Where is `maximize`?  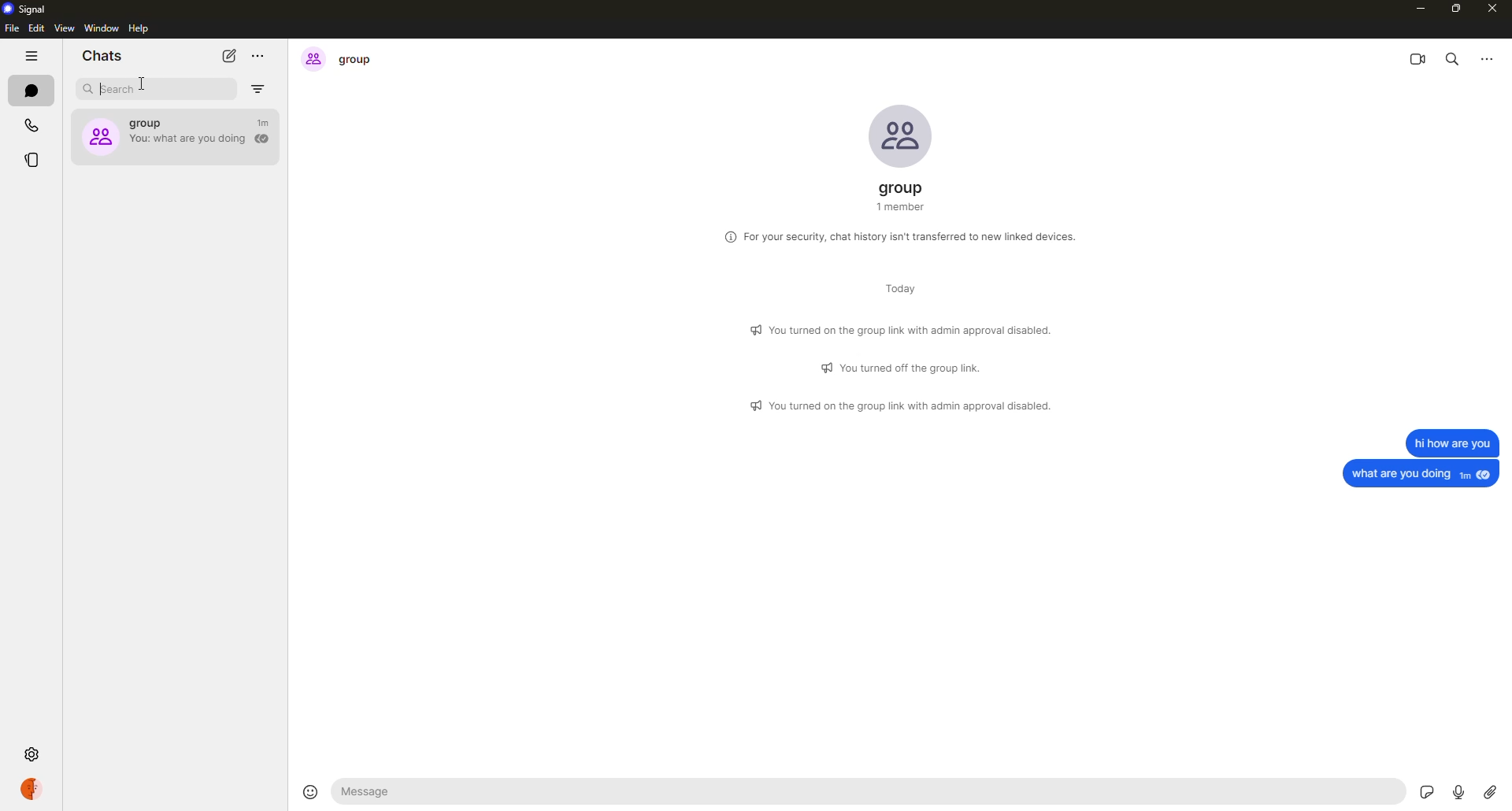 maximize is located at coordinates (1458, 9).